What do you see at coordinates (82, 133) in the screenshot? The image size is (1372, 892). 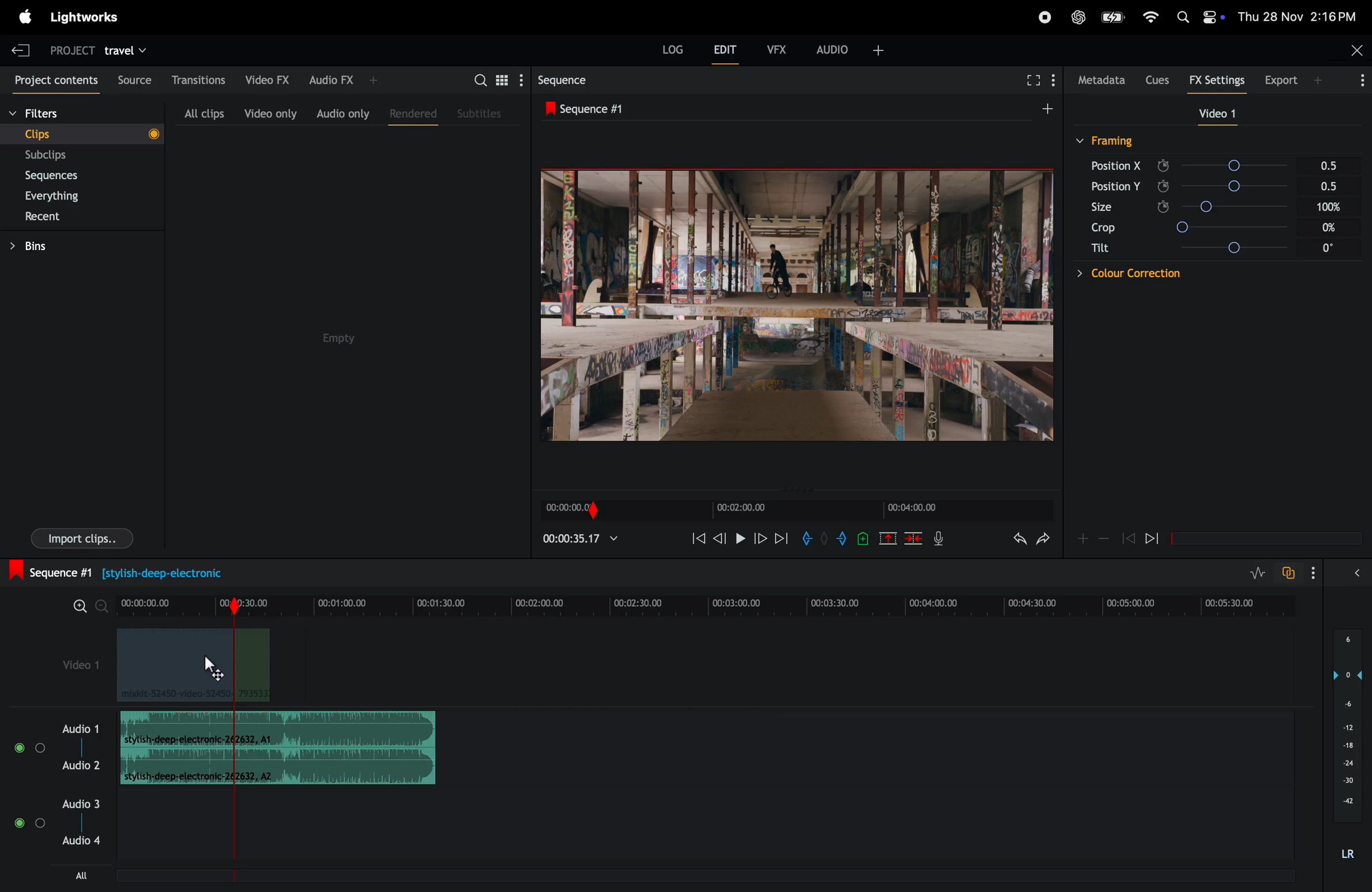 I see `clips` at bounding box center [82, 133].